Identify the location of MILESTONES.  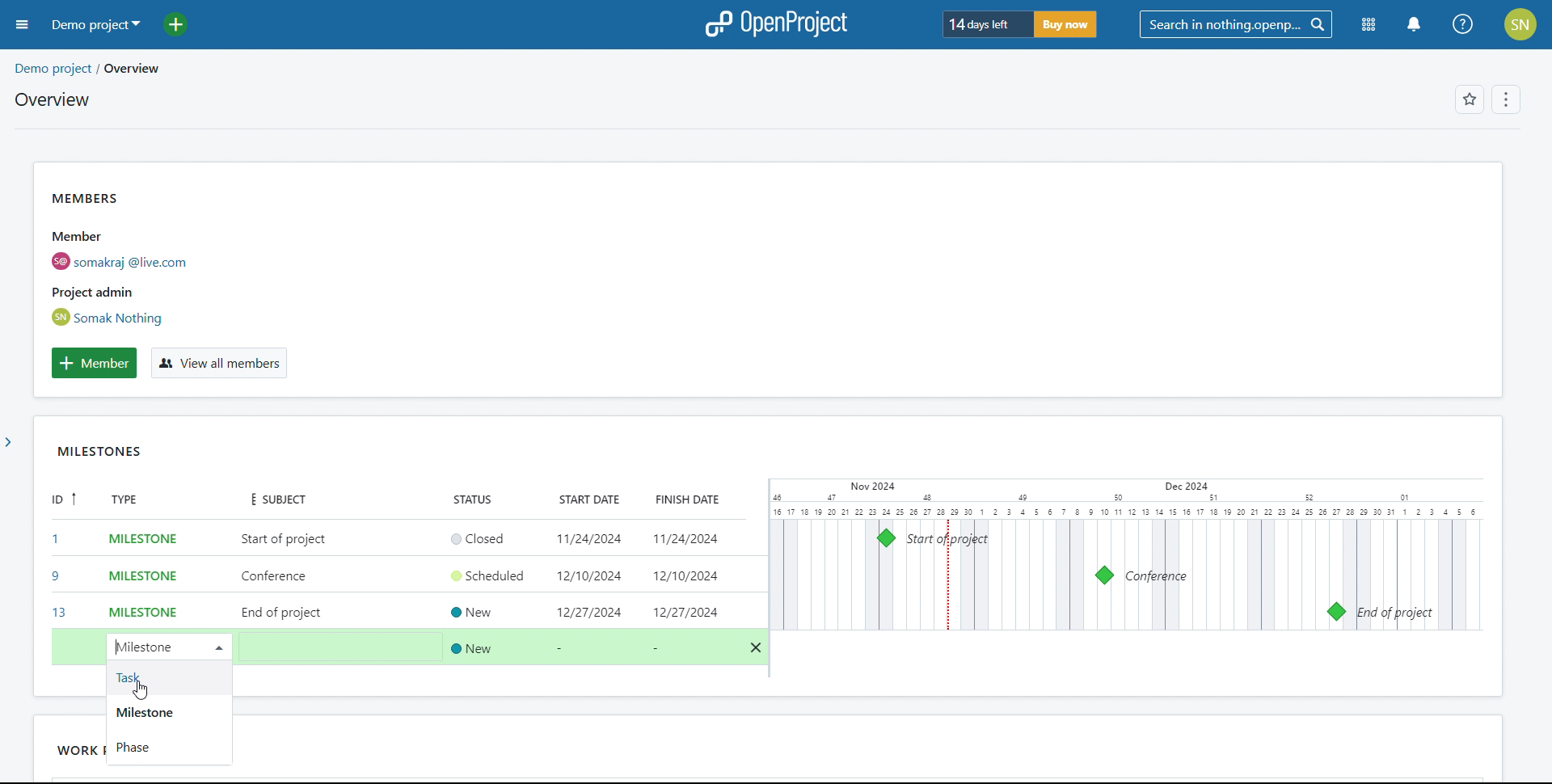
(120, 456).